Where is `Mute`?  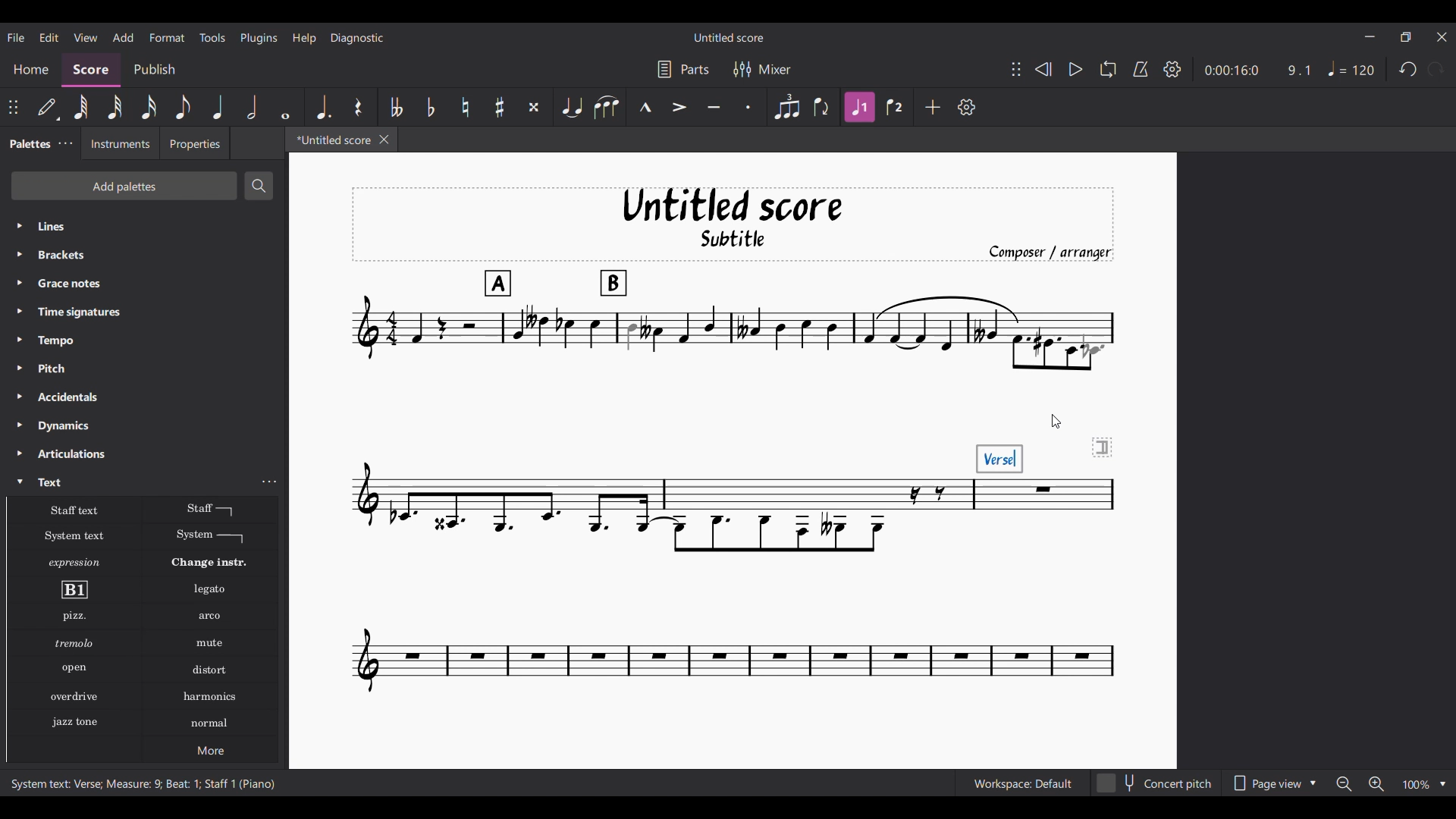
Mute is located at coordinates (210, 643).